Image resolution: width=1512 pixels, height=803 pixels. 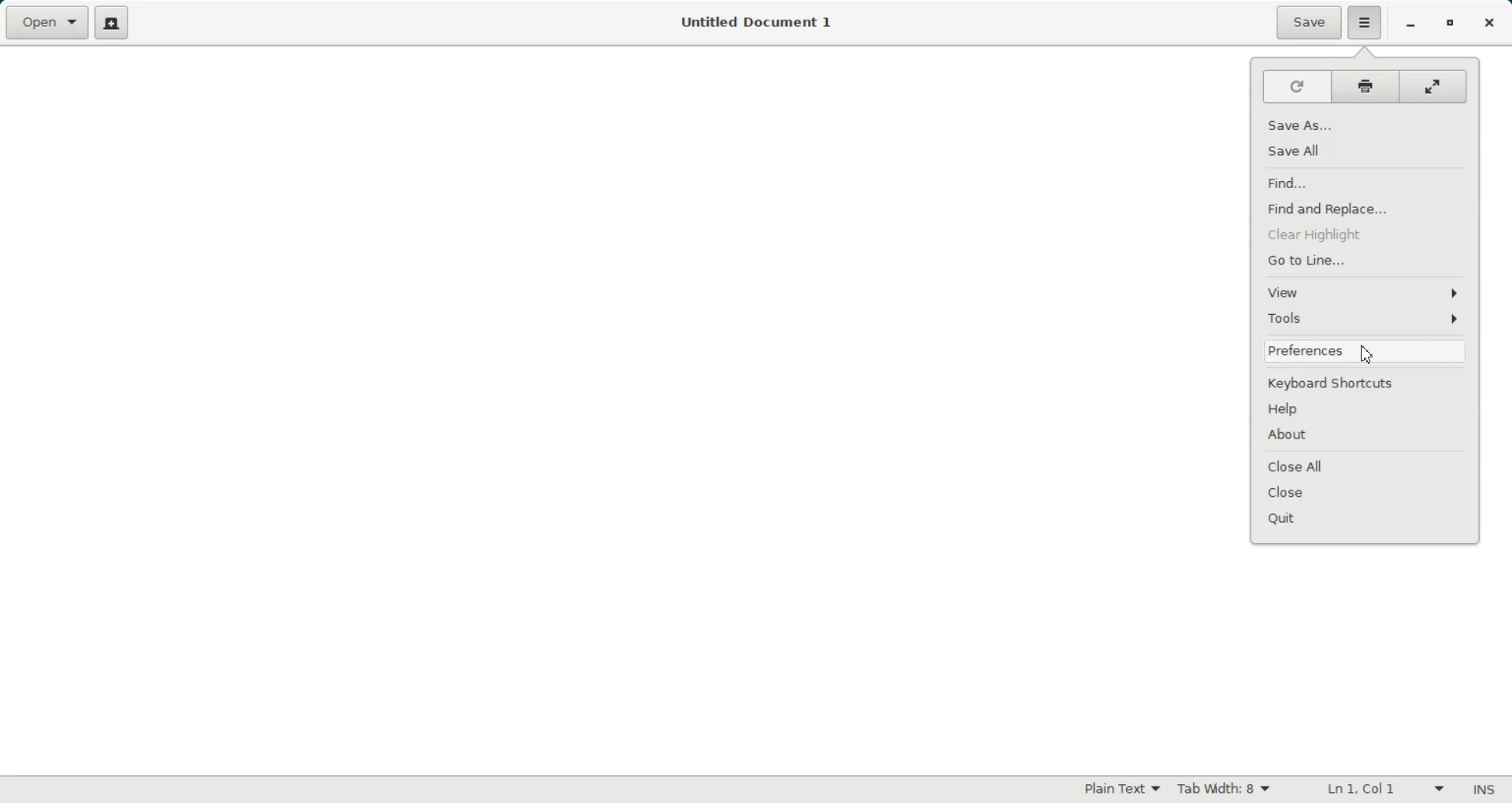 I want to click on Find, so click(x=1366, y=183).